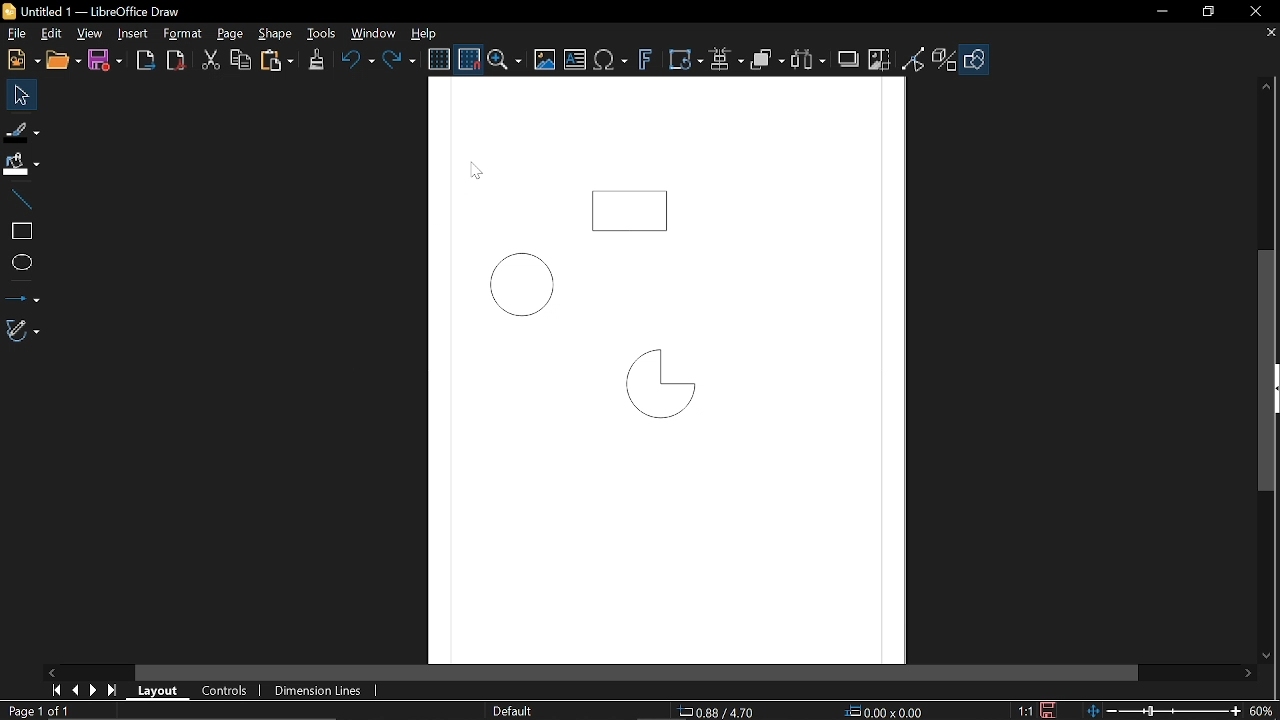  I want to click on Window, so click(371, 34).